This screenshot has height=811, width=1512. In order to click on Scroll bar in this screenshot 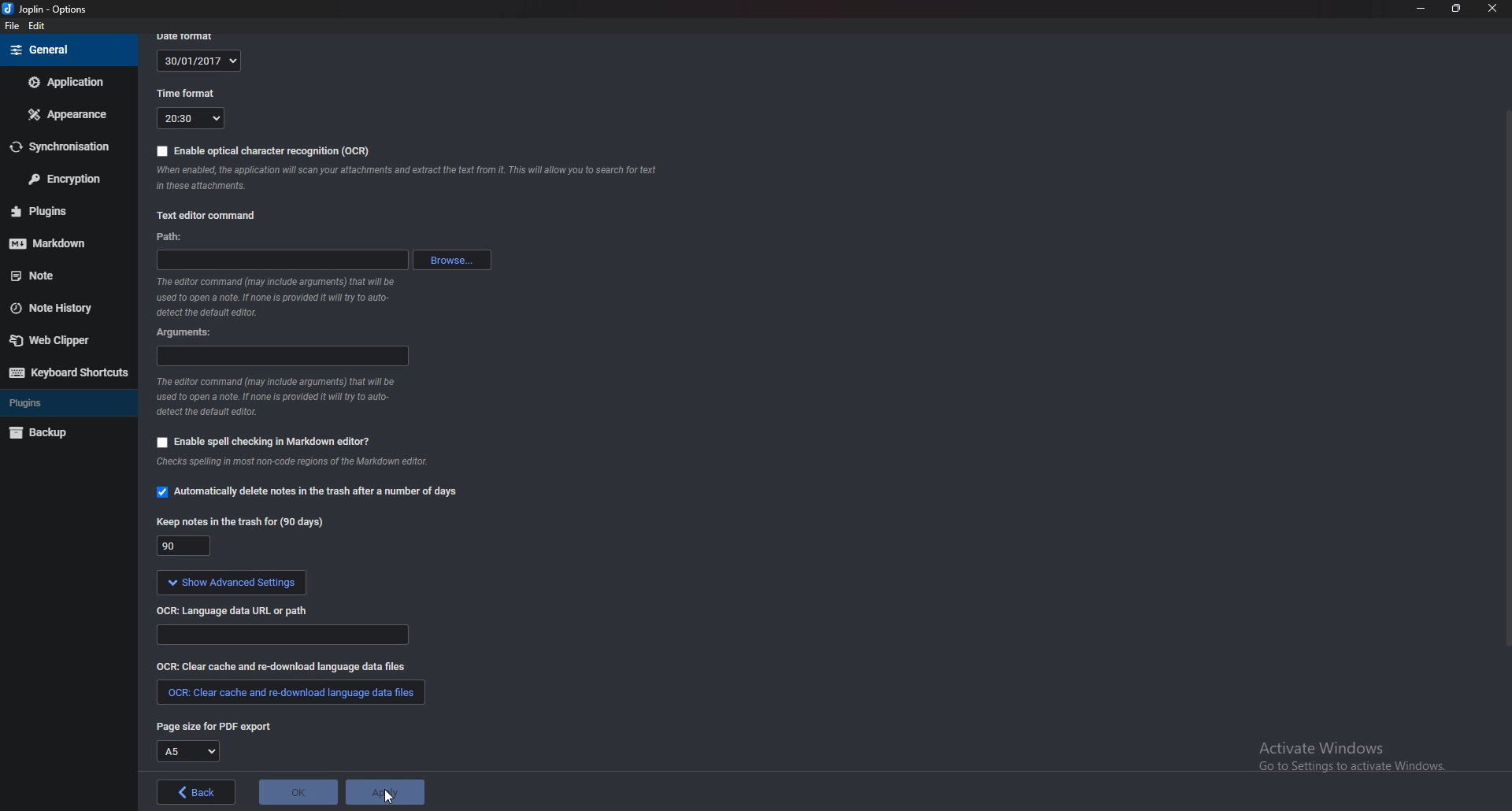, I will do `click(1506, 379)`.